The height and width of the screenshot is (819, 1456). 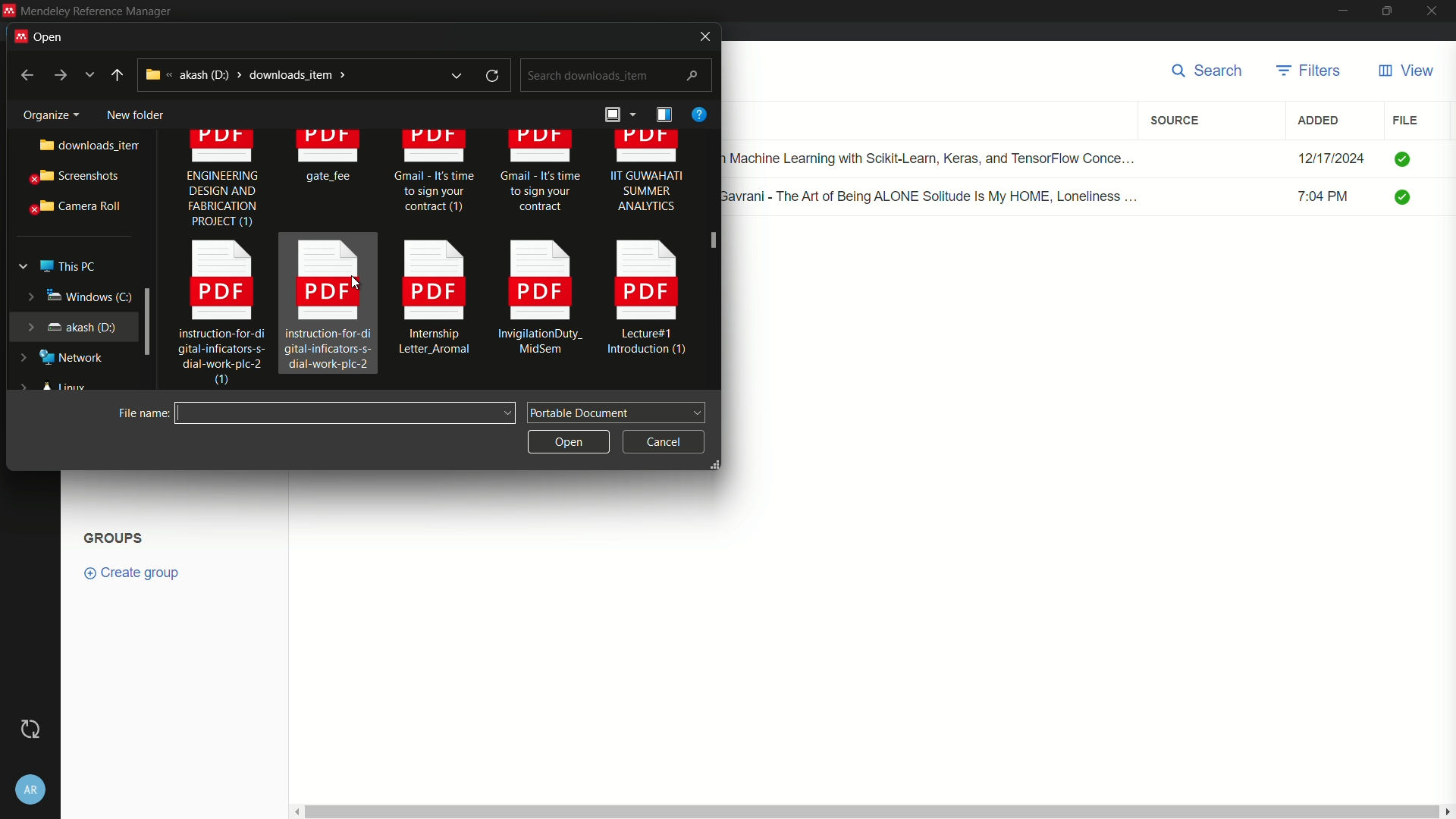 What do you see at coordinates (91, 75) in the screenshot?
I see `more options` at bounding box center [91, 75].